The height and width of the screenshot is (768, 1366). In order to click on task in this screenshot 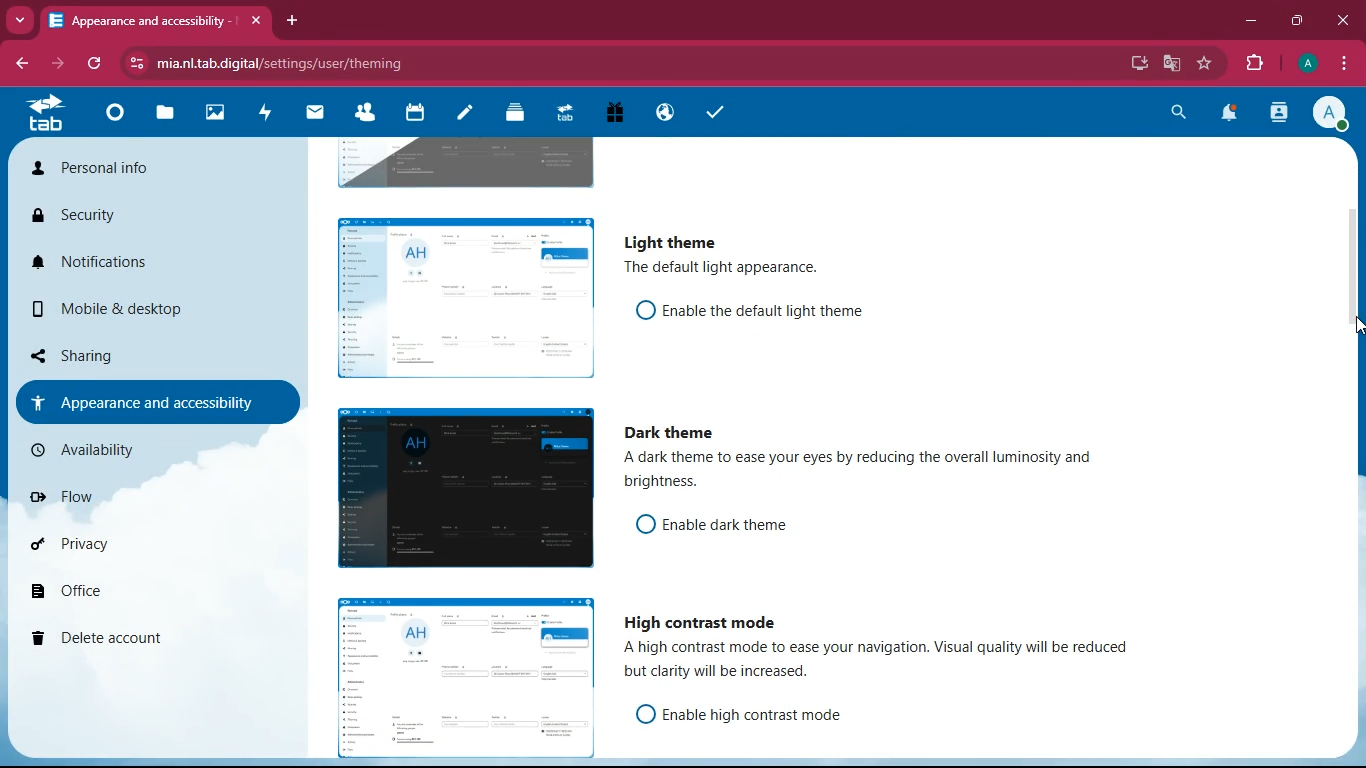, I will do `click(711, 112)`.